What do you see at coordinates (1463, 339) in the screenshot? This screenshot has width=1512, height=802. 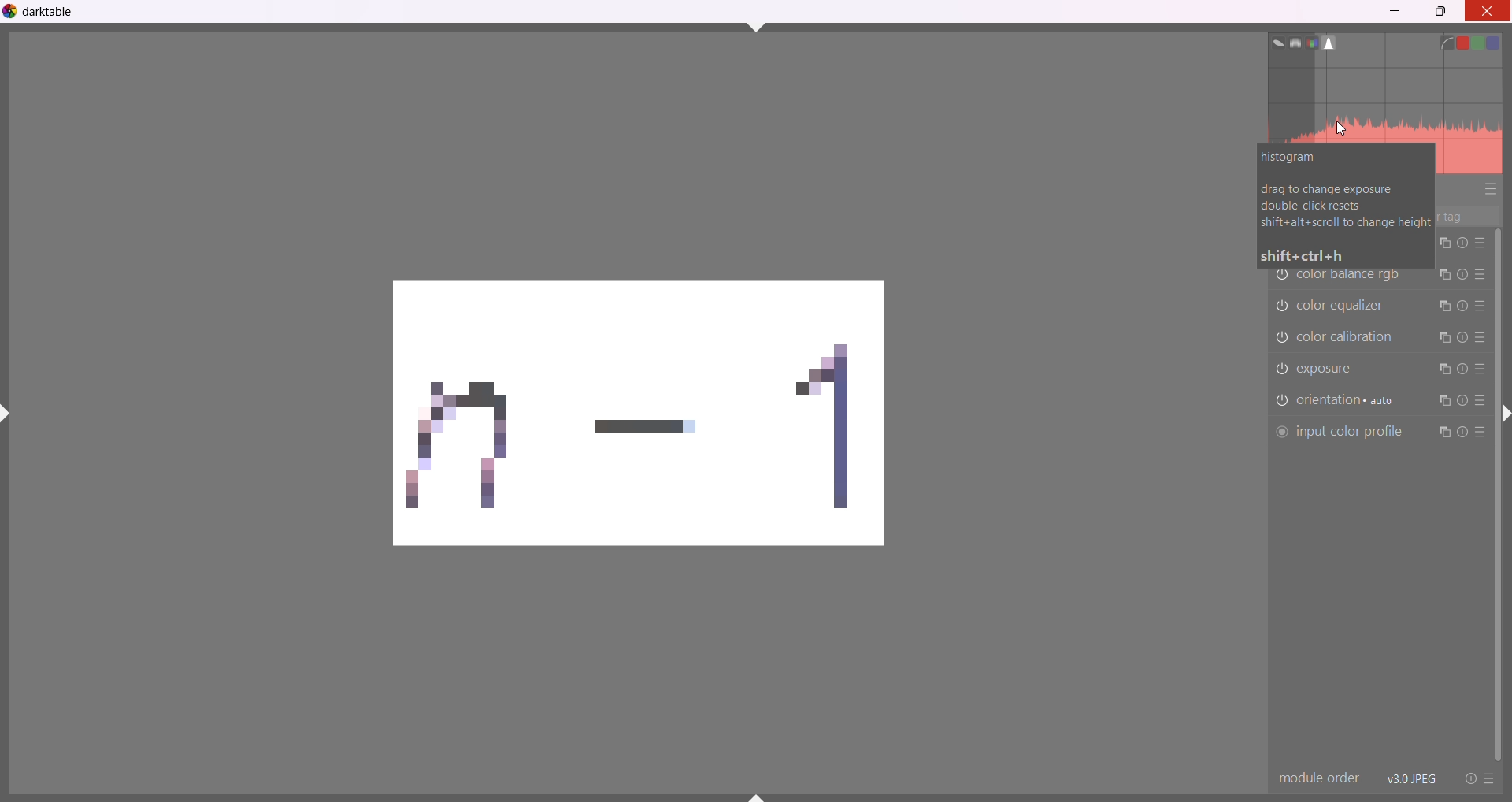 I see `reset parameters` at bounding box center [1463, 339].